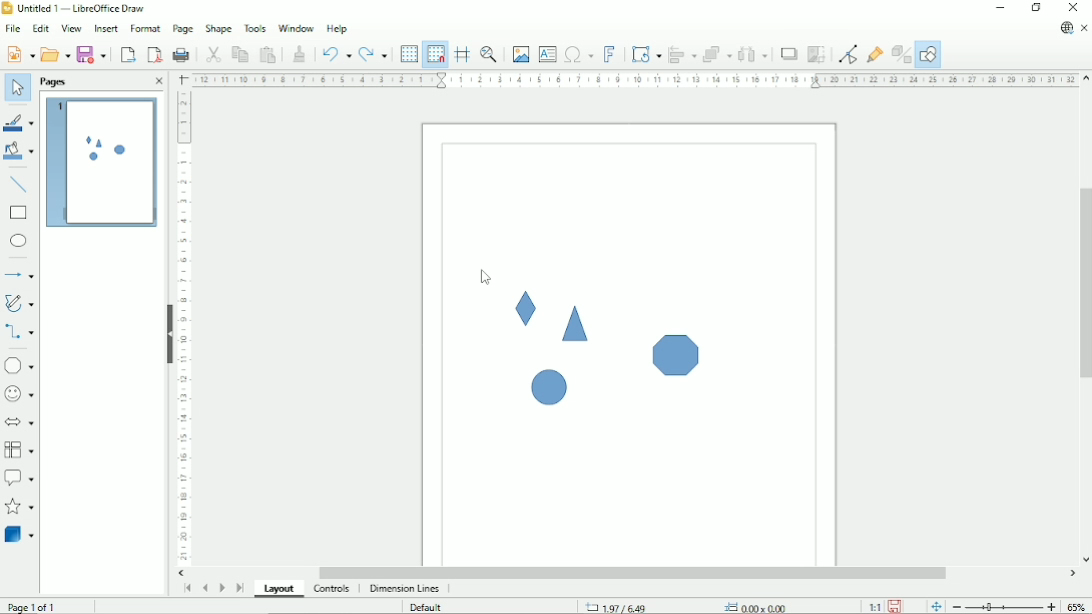 The height and width of the screenshot is (614, 1092). What do you see at coordinates (634, 80) in the screenshot?
I see `Horizontal scale` at bounding box center [634, 80].